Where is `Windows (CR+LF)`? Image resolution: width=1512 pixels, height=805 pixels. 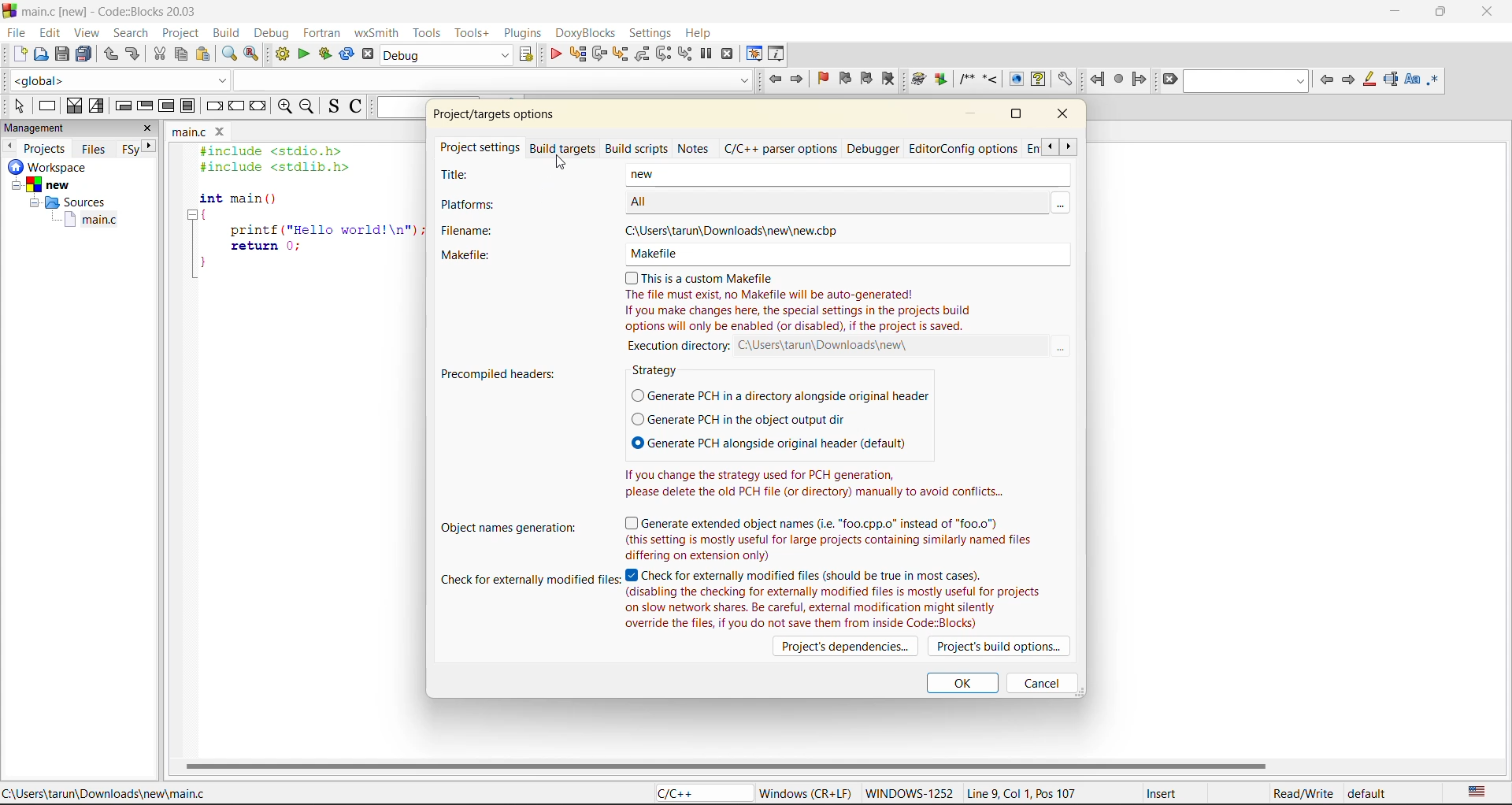 Windows (CR+LF) is located at coordinates (802, 792).